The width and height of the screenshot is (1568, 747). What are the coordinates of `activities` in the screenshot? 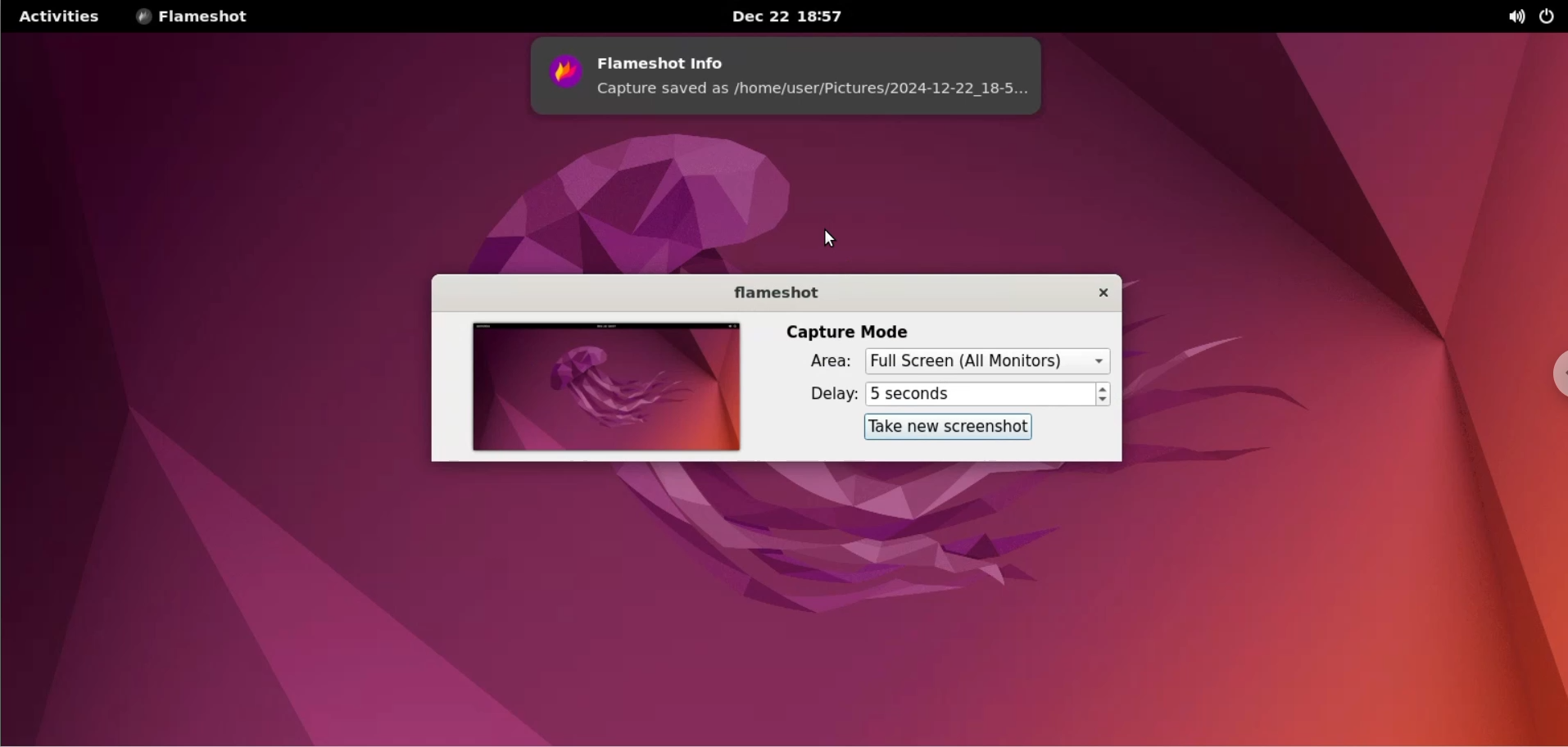 It's located at (57, 16).